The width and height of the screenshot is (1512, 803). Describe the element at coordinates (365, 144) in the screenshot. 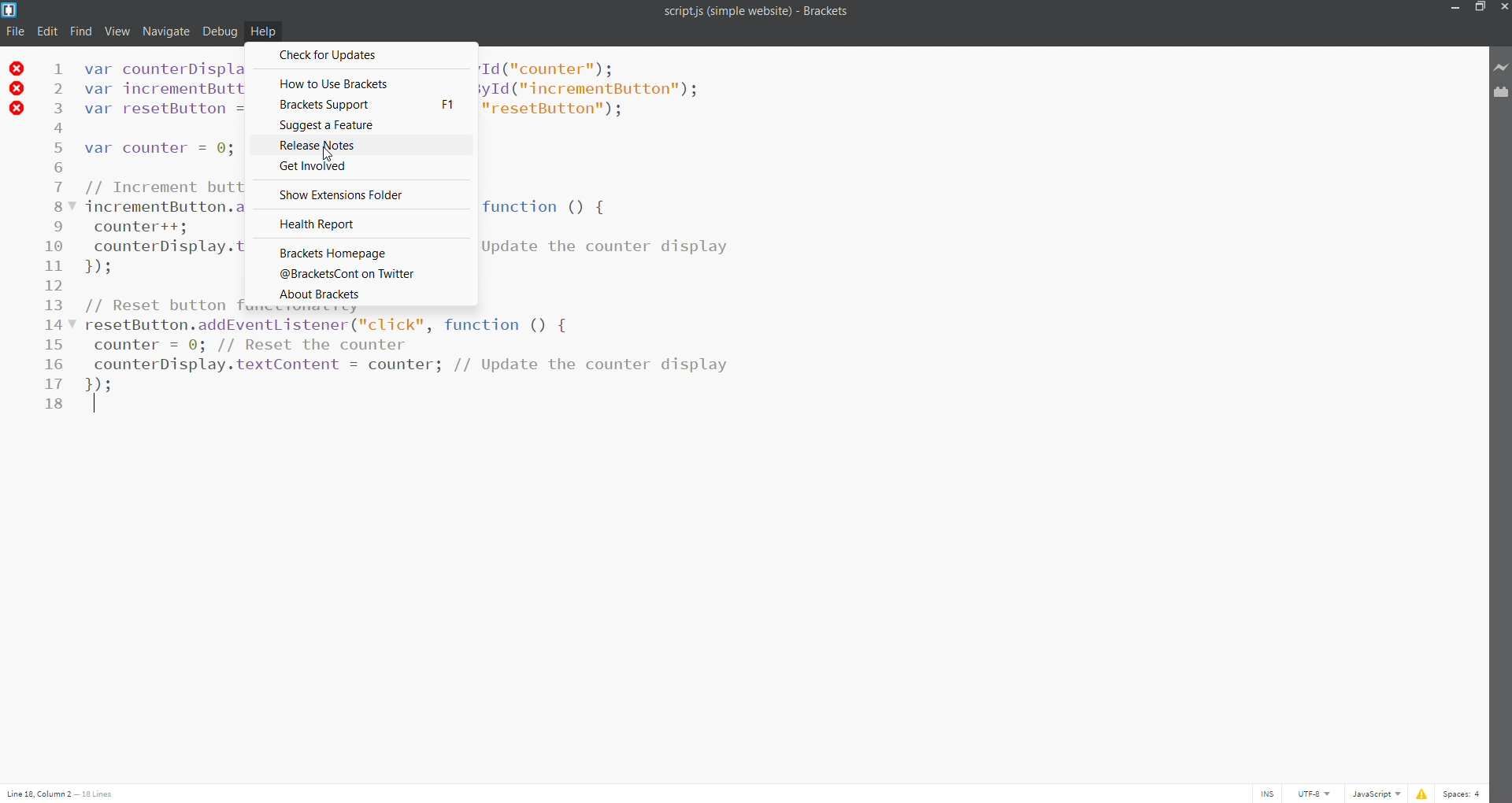

I see `release notes` at that location.